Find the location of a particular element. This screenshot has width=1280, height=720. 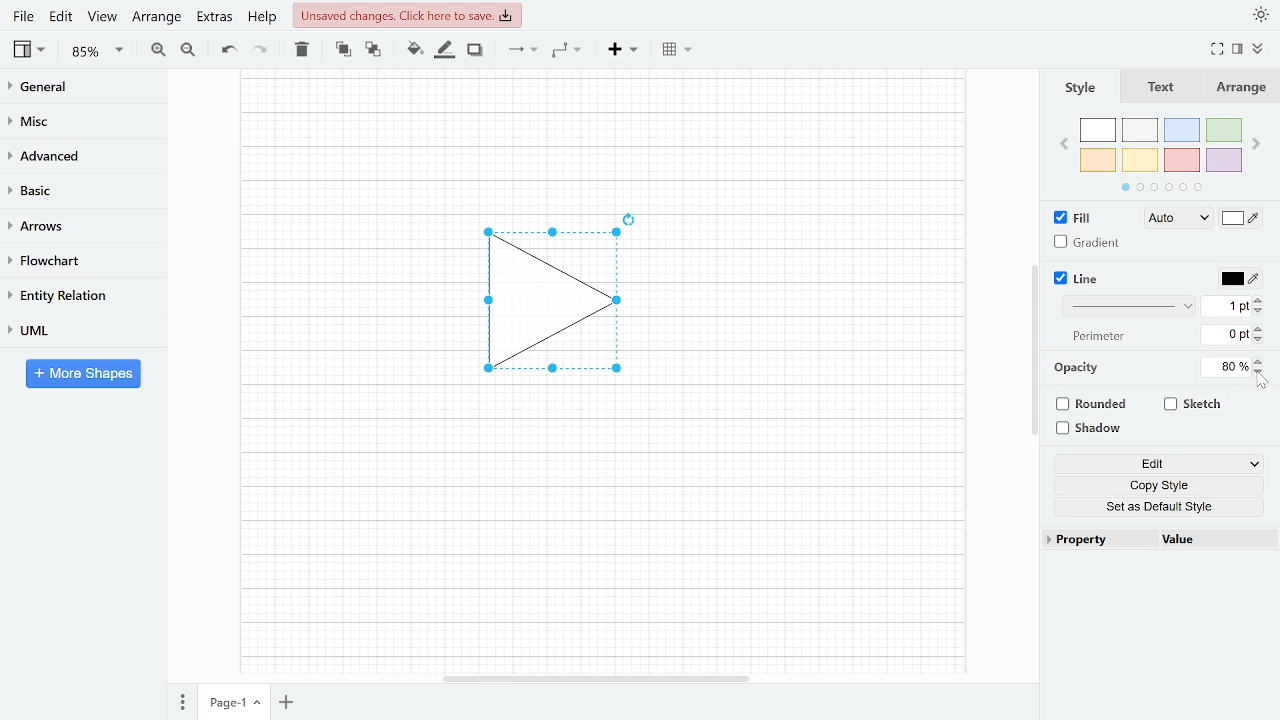

workspace is located at coordinates (343, 302).